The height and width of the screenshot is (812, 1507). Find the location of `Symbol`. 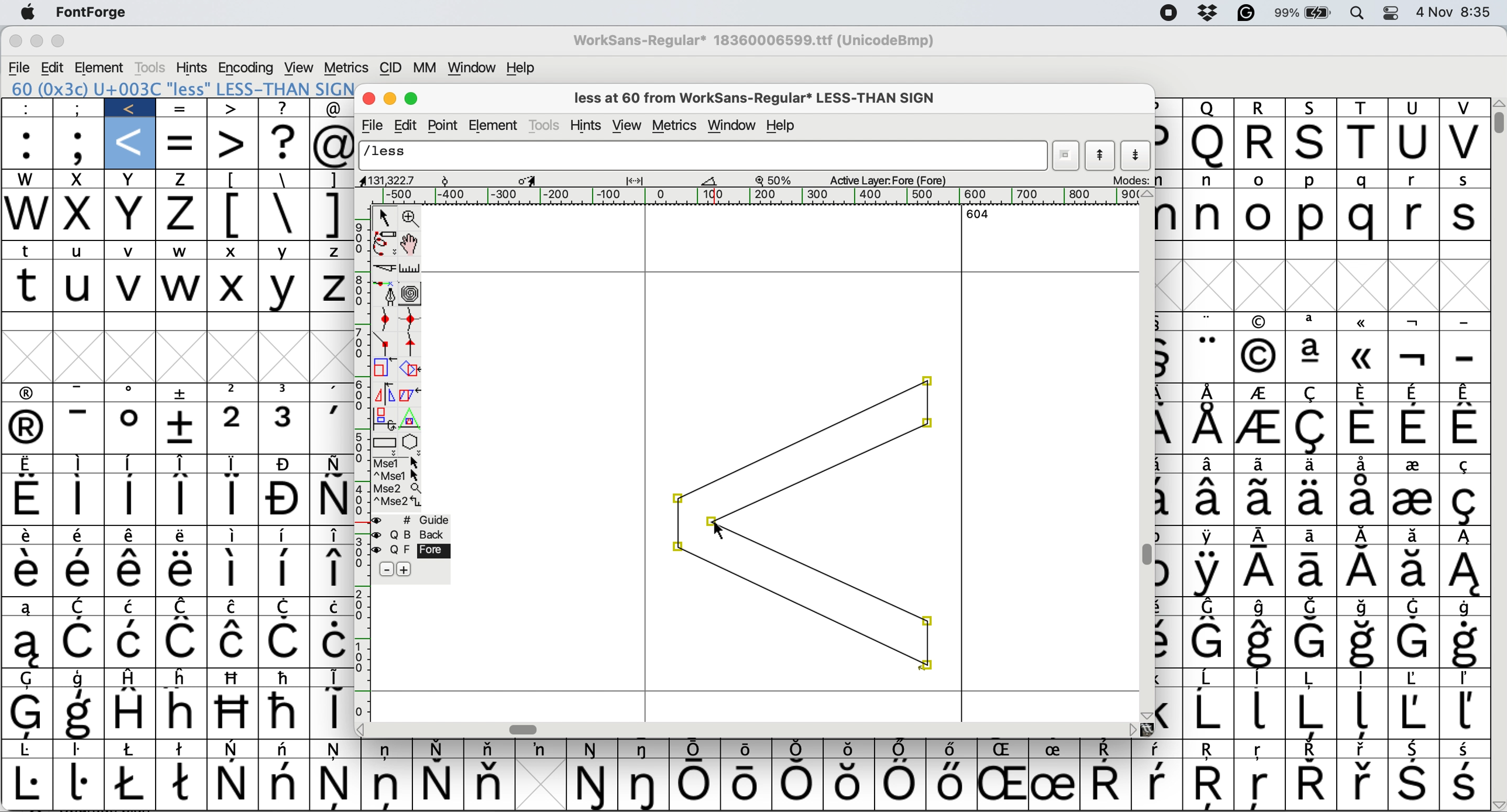

Symbol is located at coordinates (1264, 573).